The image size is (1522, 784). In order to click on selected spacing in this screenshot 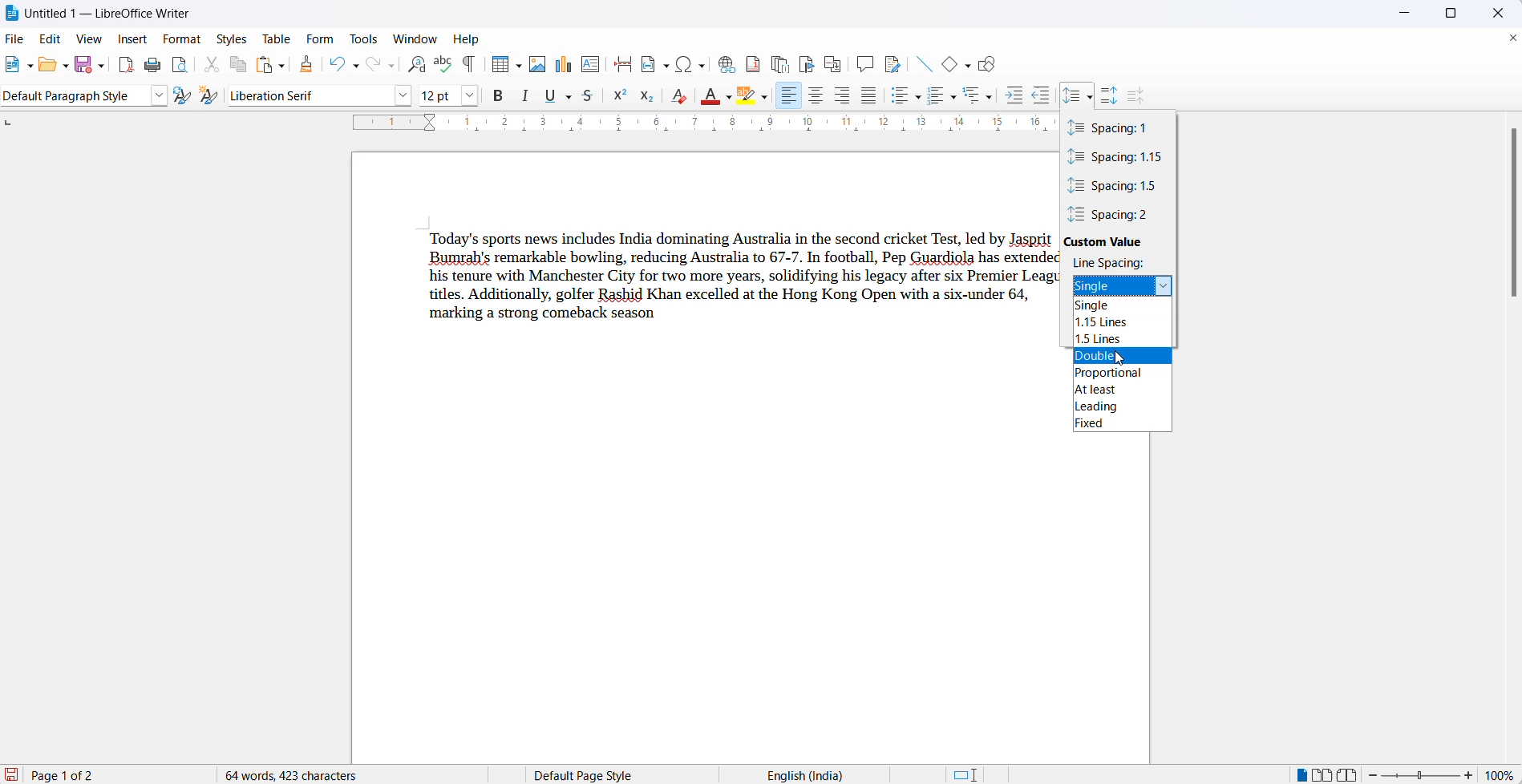, I will do `click(1114, 285)`.